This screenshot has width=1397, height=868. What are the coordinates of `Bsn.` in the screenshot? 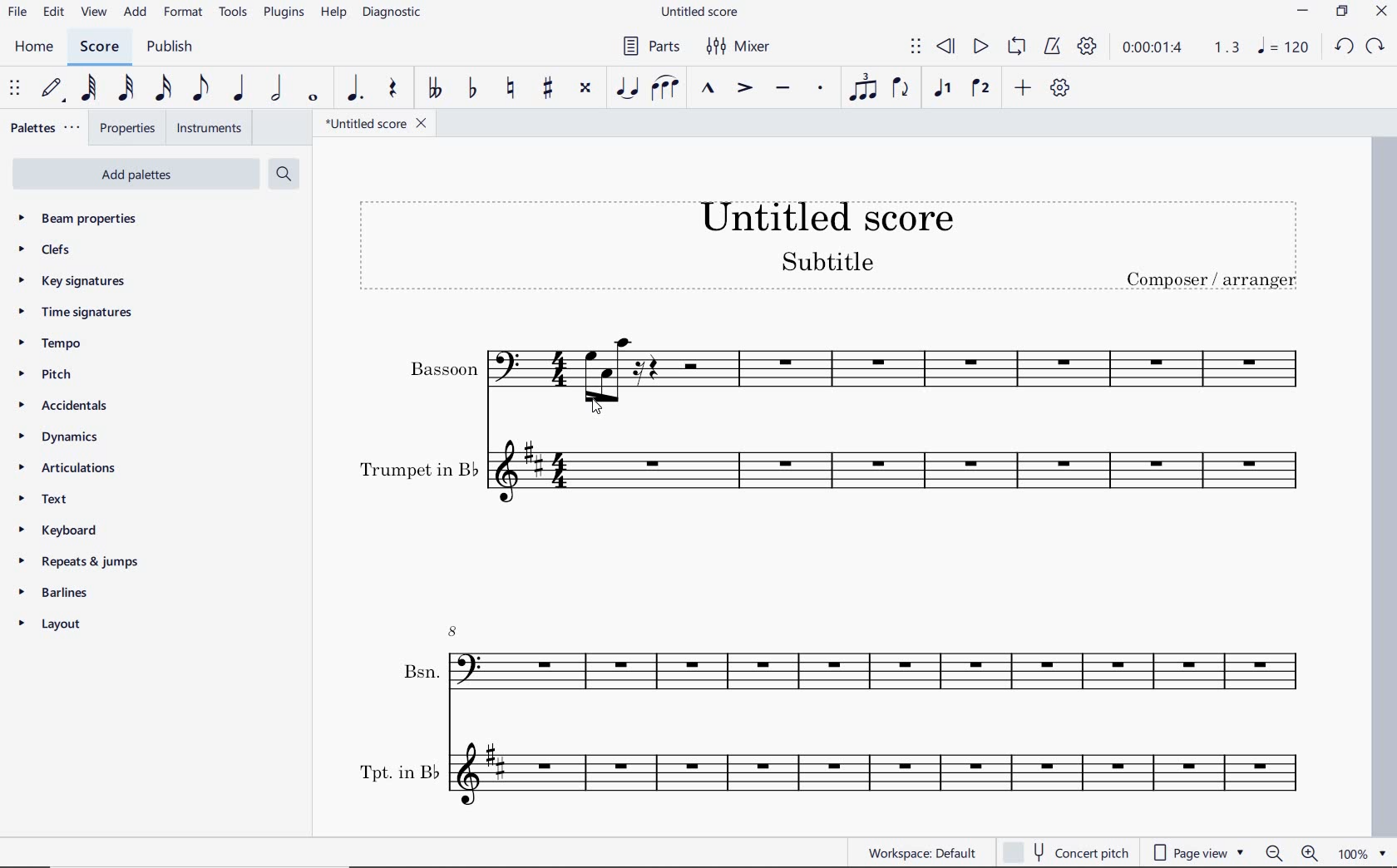 It's located at (849, 666).